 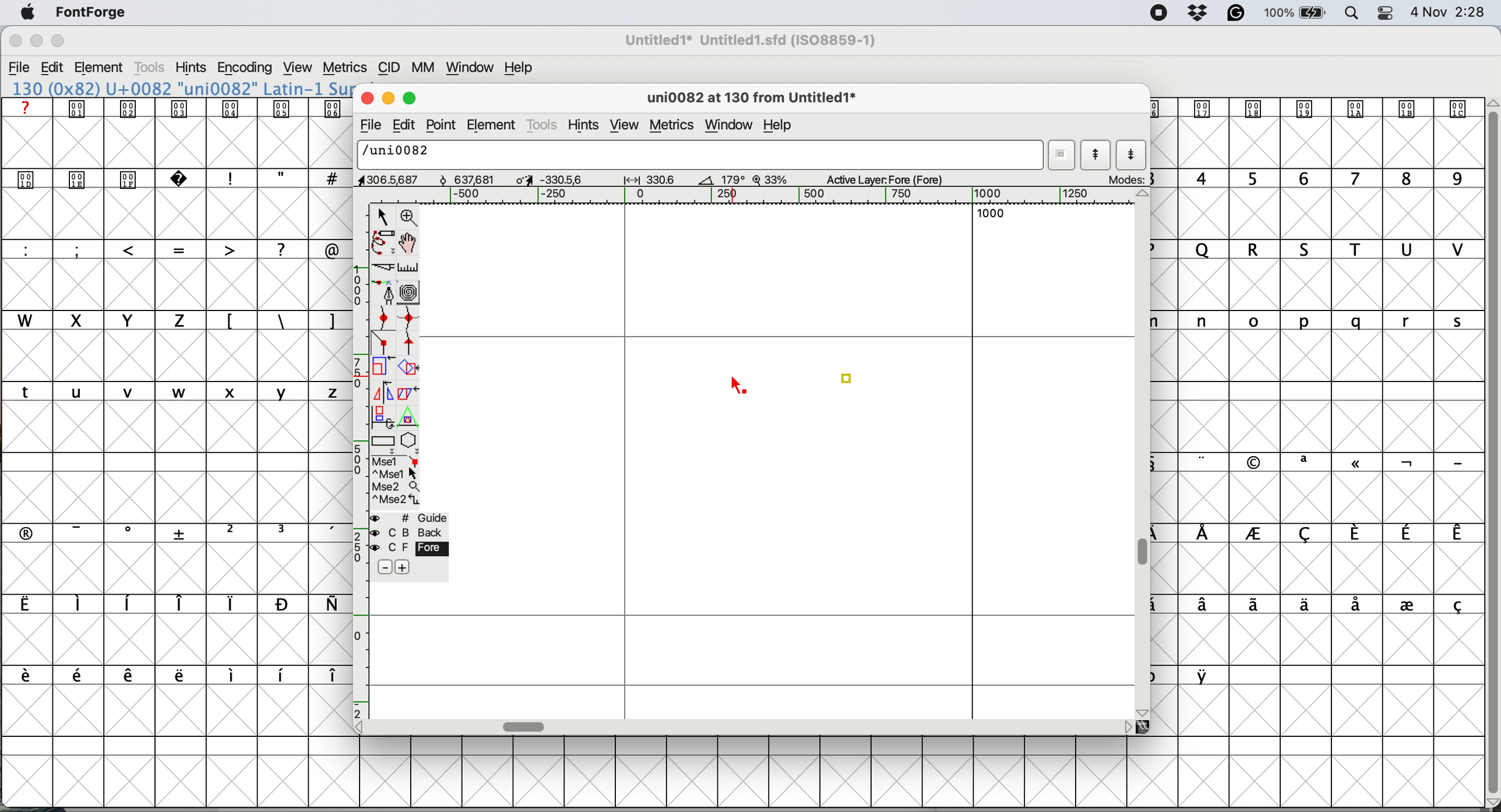 What do you see at coordinates (584, 126) in the screenshot?
I see `hints` at bounding box center [584, 126].